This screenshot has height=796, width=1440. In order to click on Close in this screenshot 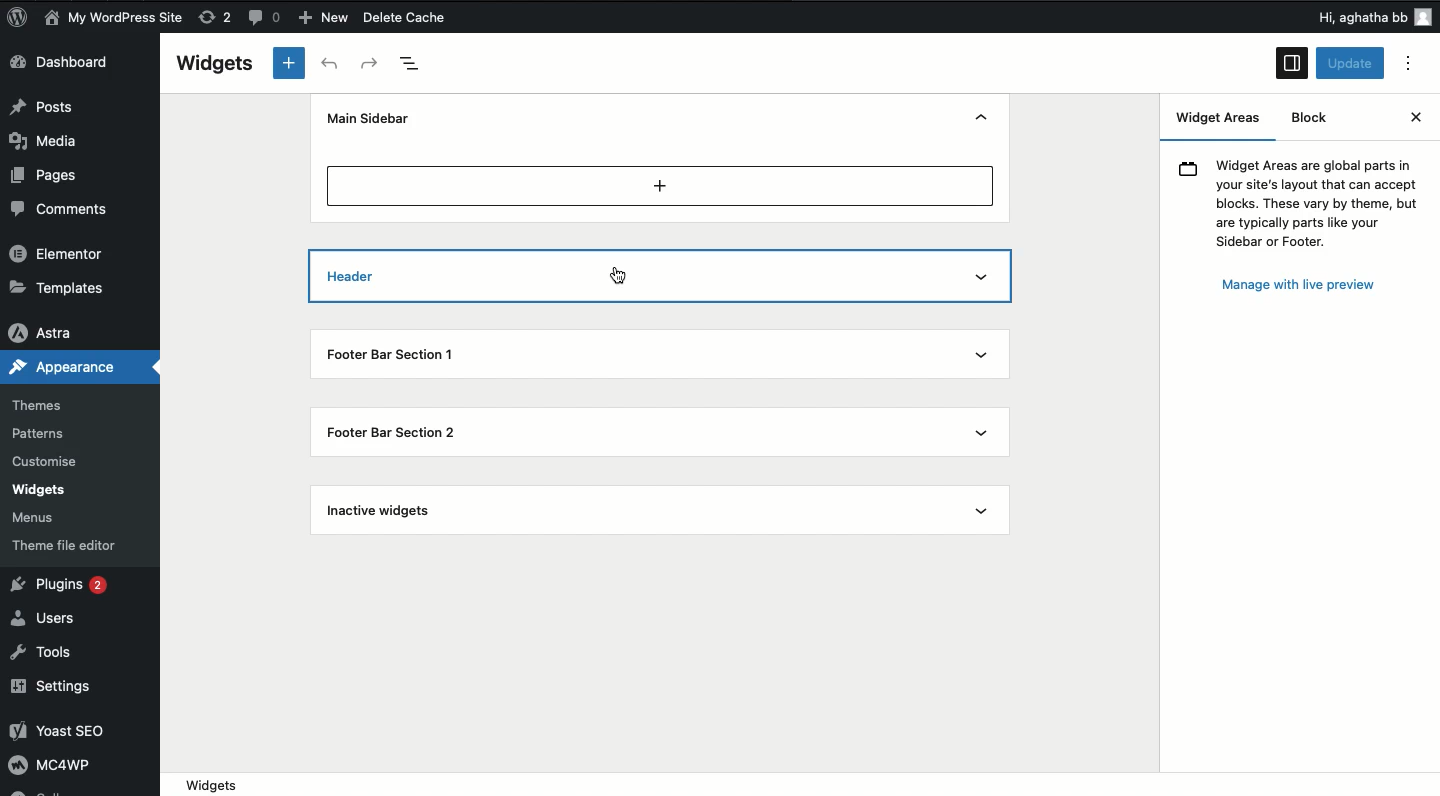, I will do `click(1390, 118)`.